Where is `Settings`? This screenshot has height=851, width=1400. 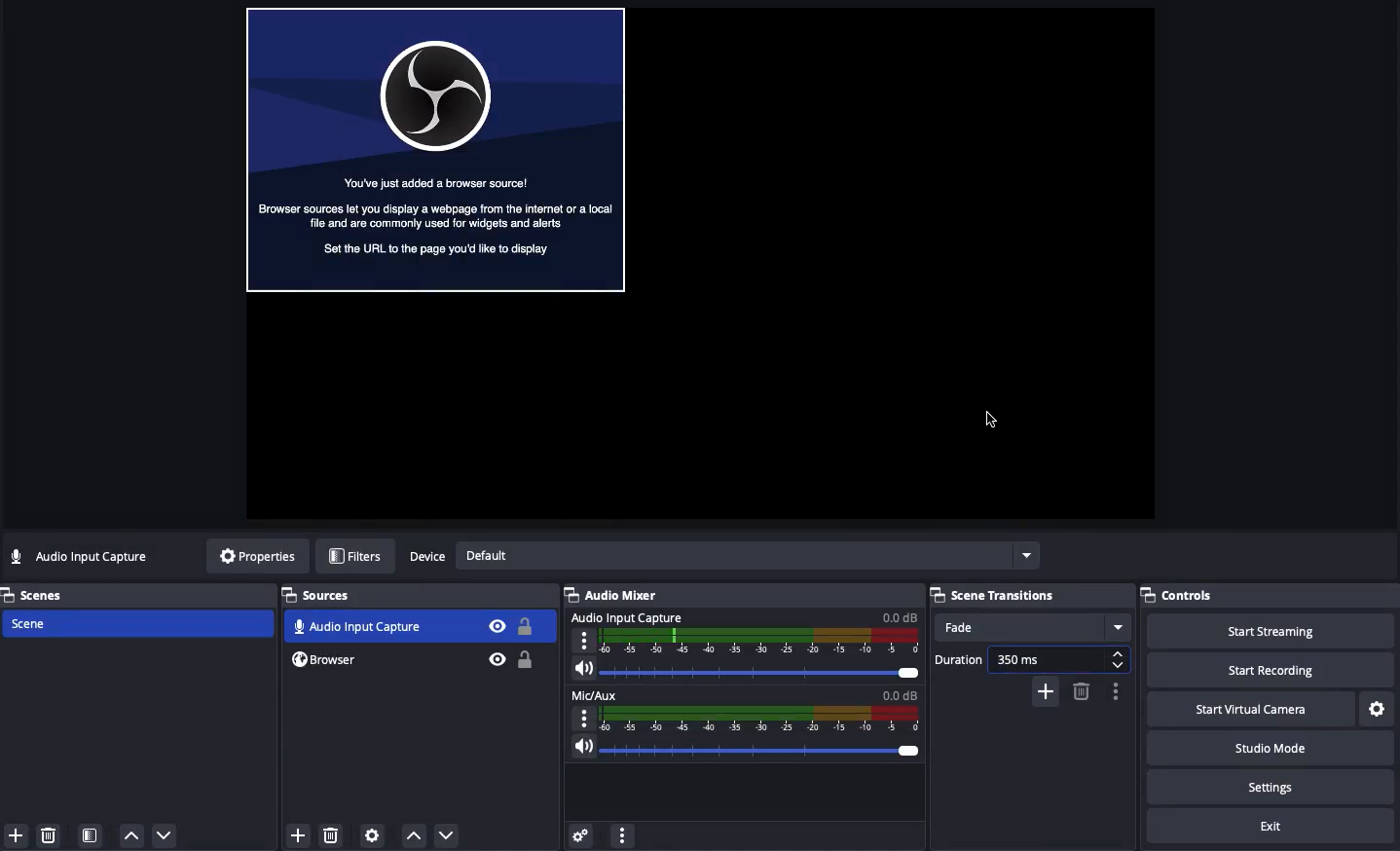
Settings is located at coordinates (577, 834).